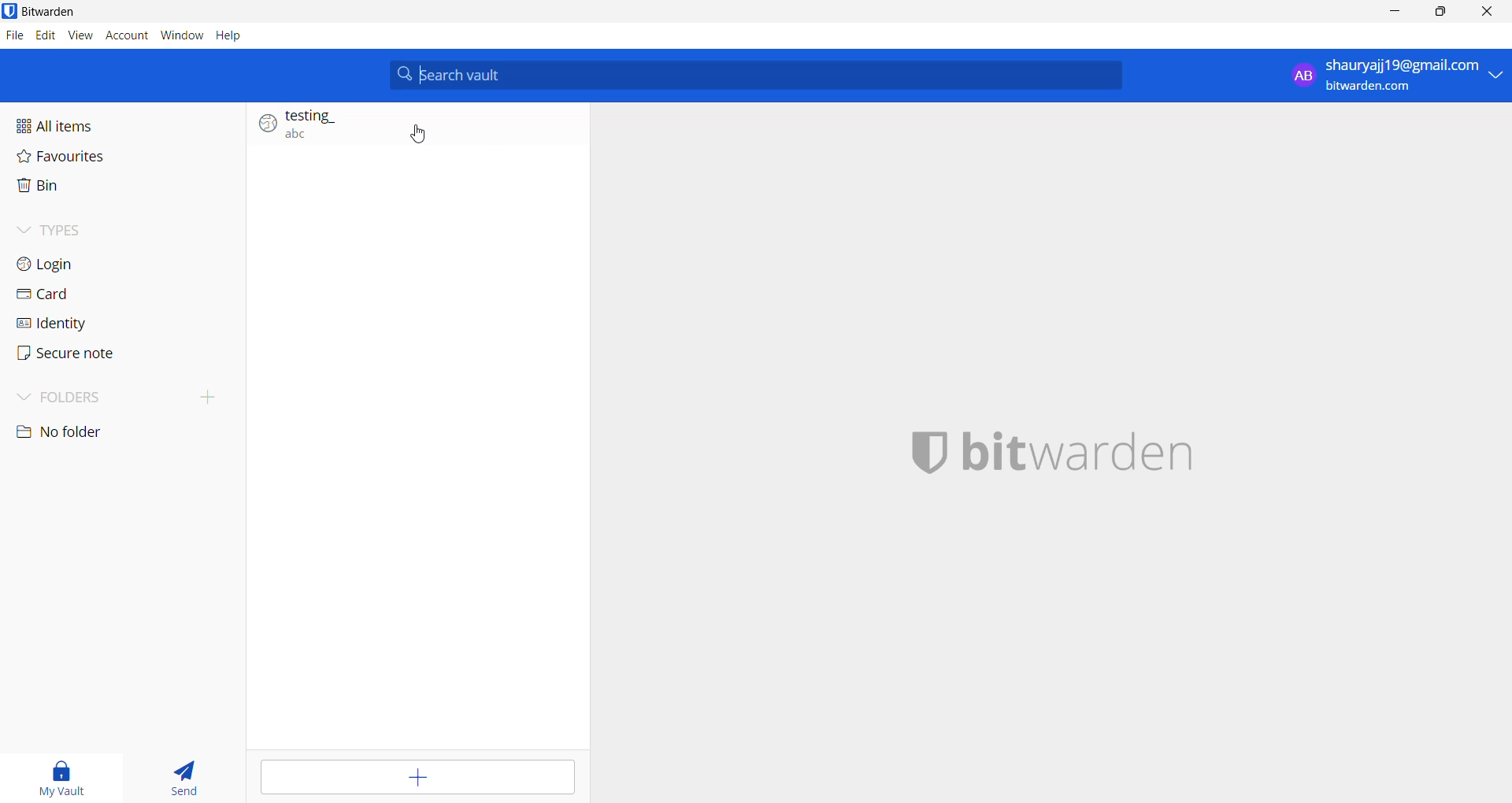 This screenshot has width=1512, height=803. Describe the element at coordinates (229, 35) in the screenshot. I see `Help` at that location.